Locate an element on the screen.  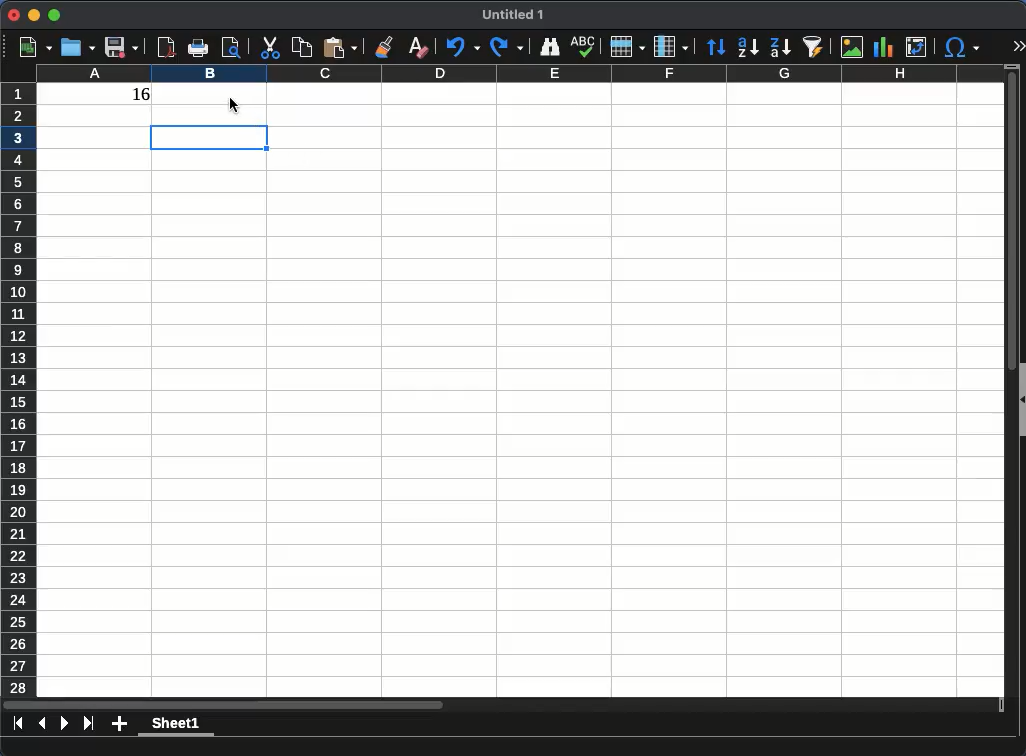
undo is located at coordinates (462, 48).